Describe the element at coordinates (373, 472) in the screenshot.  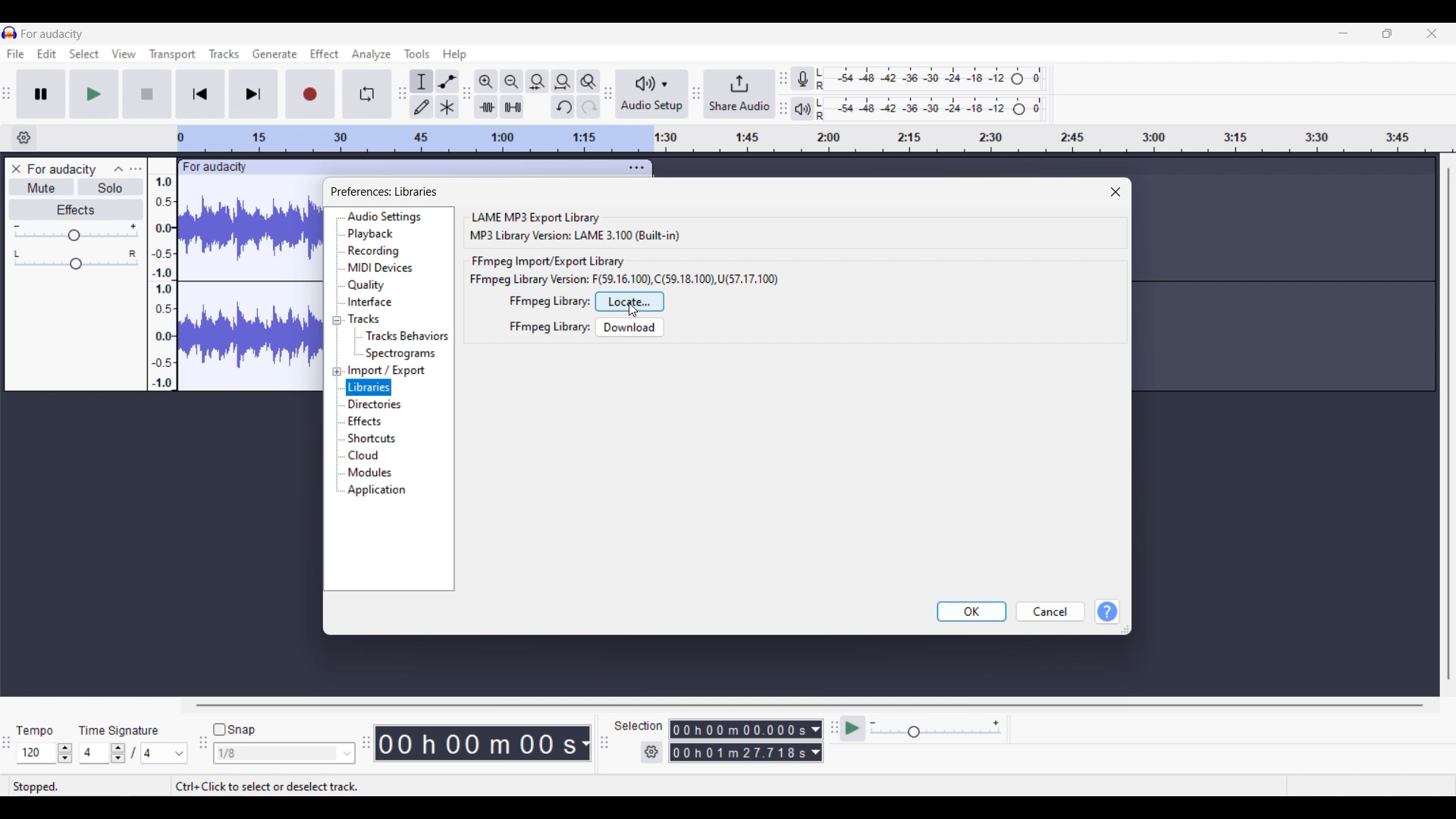
I see `Modules` at that location.